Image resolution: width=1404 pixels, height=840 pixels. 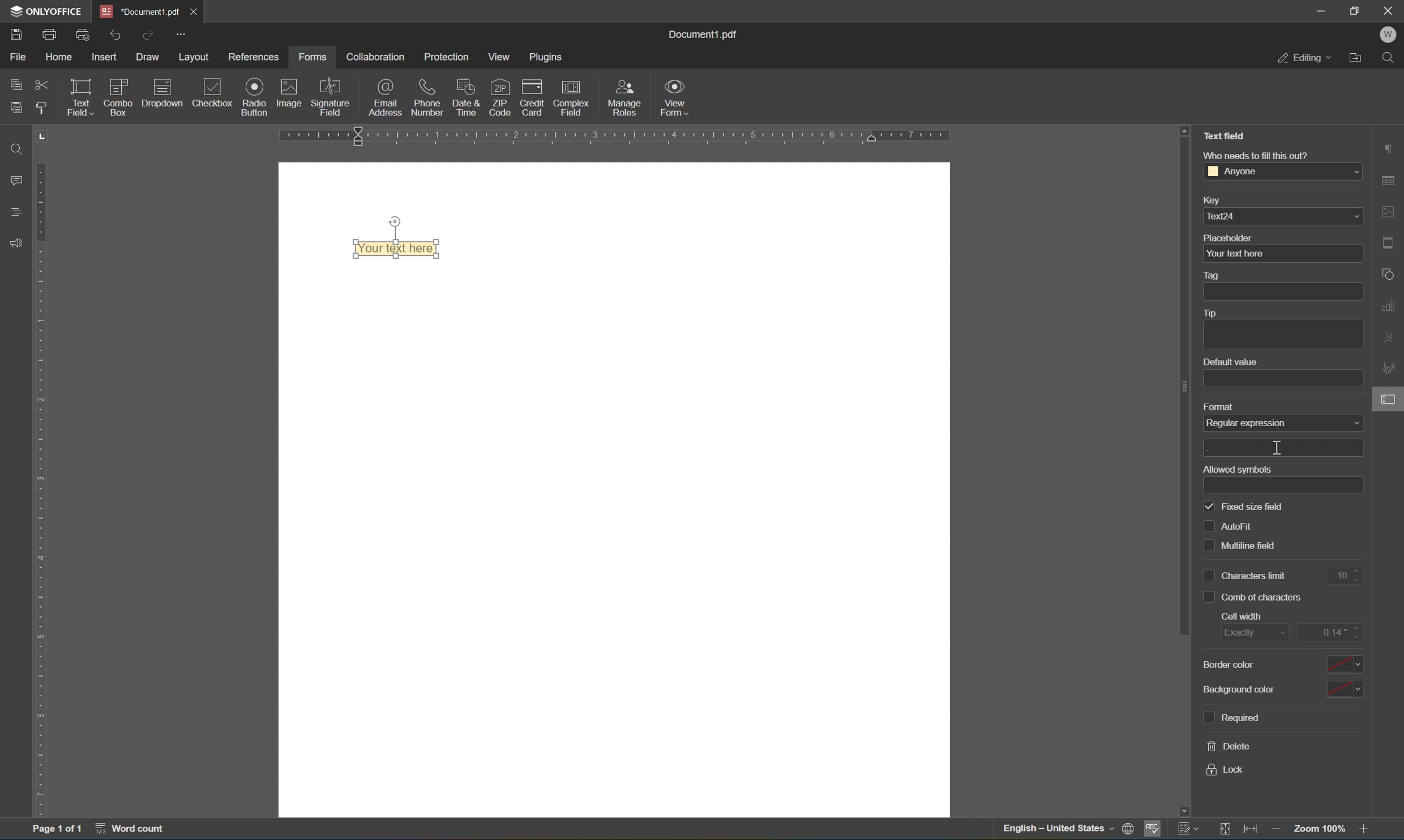 I want to click on english - united states, so click(x=1060, y=830).